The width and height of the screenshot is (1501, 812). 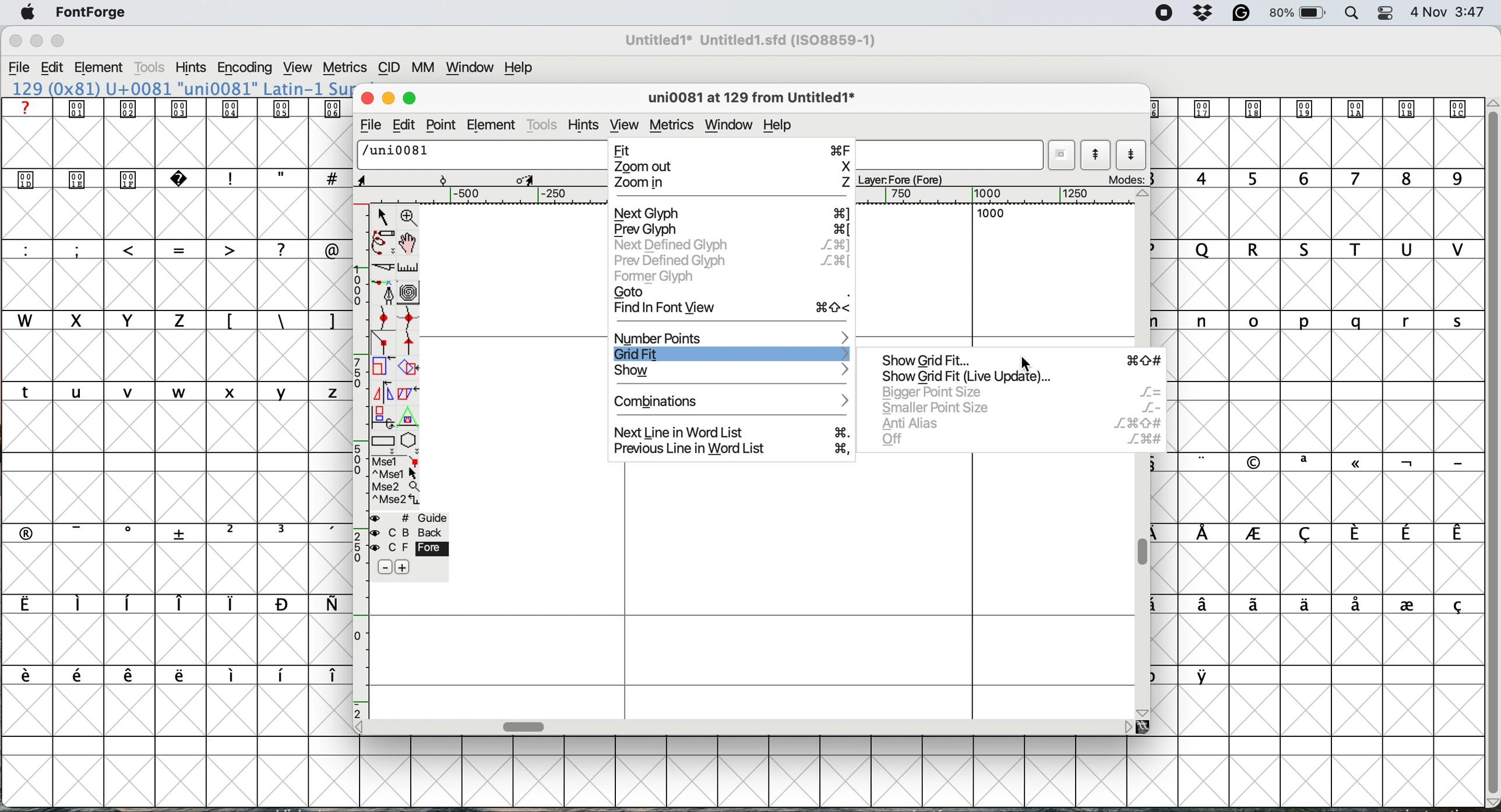 I want to click on previous glyph, so click(x=731, y=230).